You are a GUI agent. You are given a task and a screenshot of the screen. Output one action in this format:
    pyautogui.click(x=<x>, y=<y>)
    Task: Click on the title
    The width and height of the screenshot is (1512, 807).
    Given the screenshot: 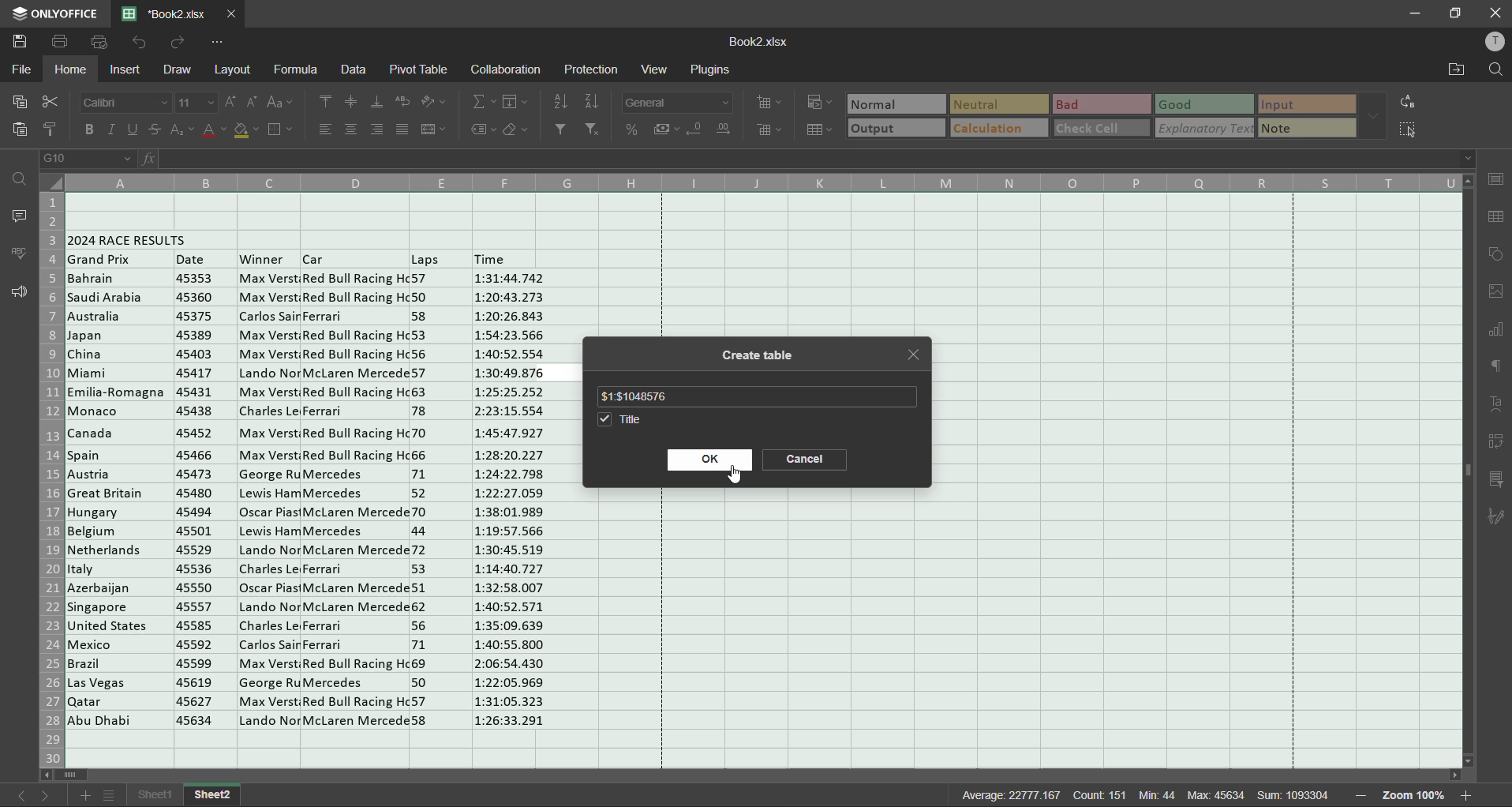 What is the action you would take?
    pyautogui.click(x=640, y=419)
    